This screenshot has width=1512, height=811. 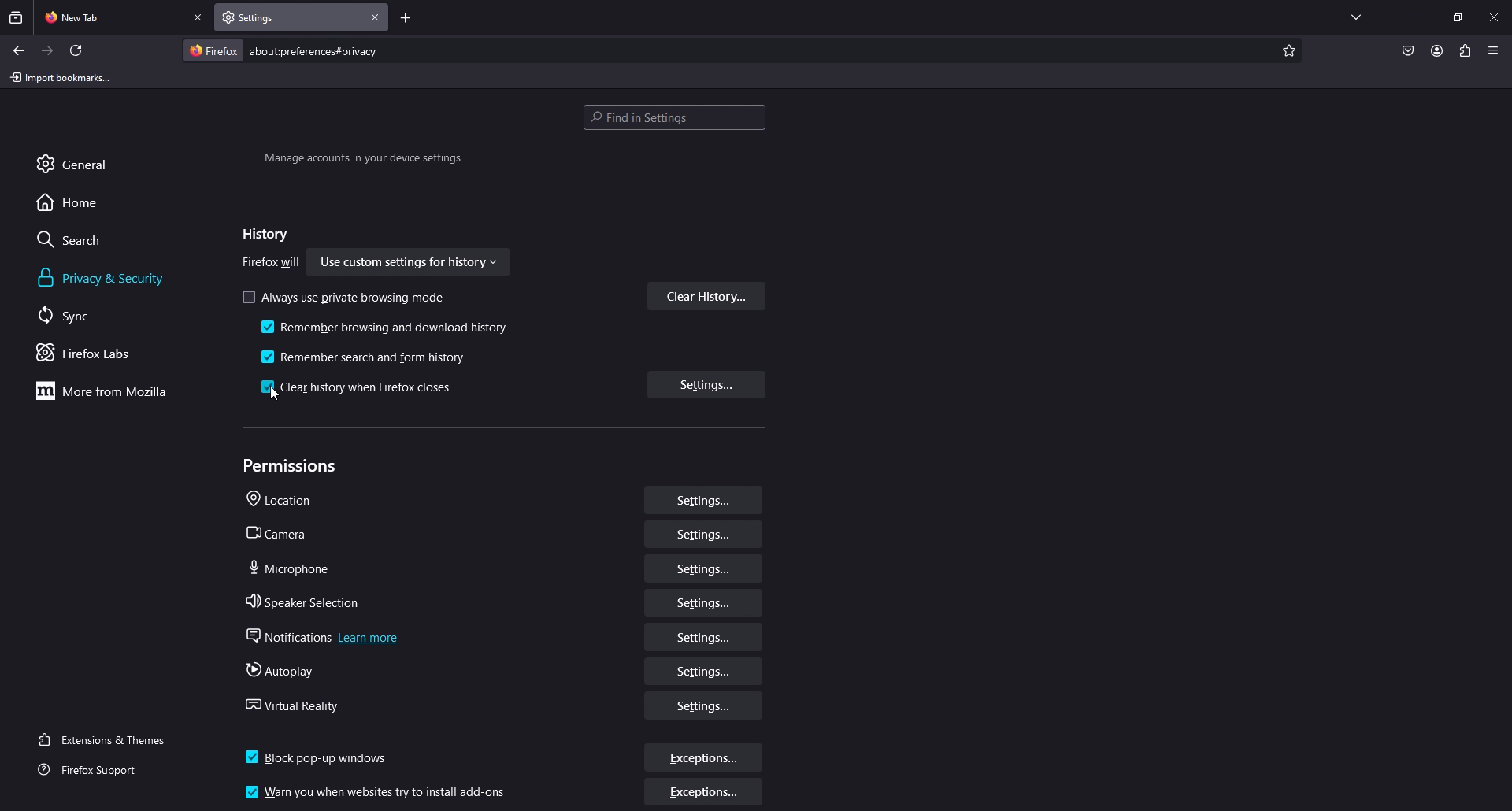 I want to click on minimize, so click(x=1421, y=16).